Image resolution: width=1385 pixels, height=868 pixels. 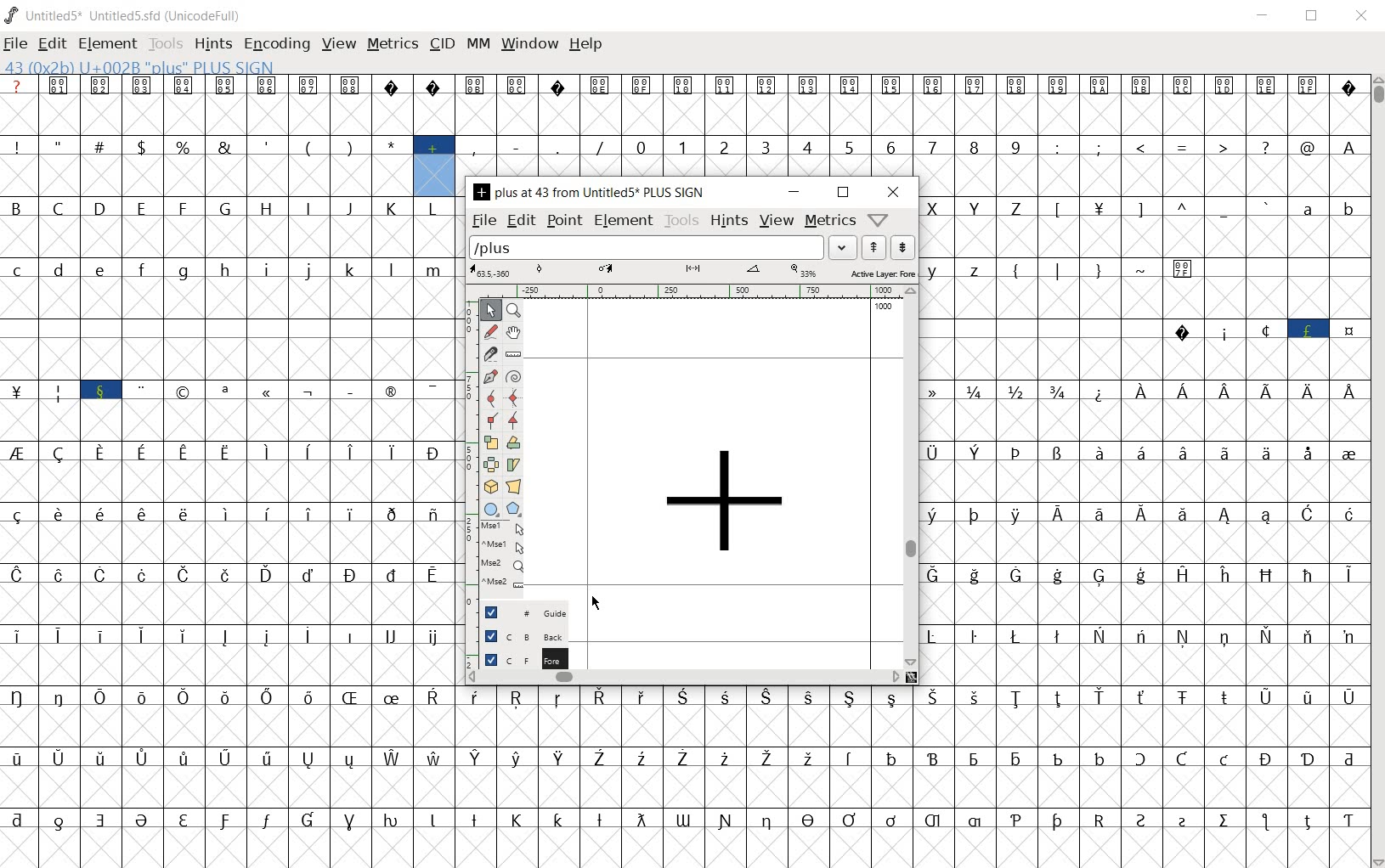 I want to click on mse1 mse1 mse2 mse2, so click(x=500, y=554).